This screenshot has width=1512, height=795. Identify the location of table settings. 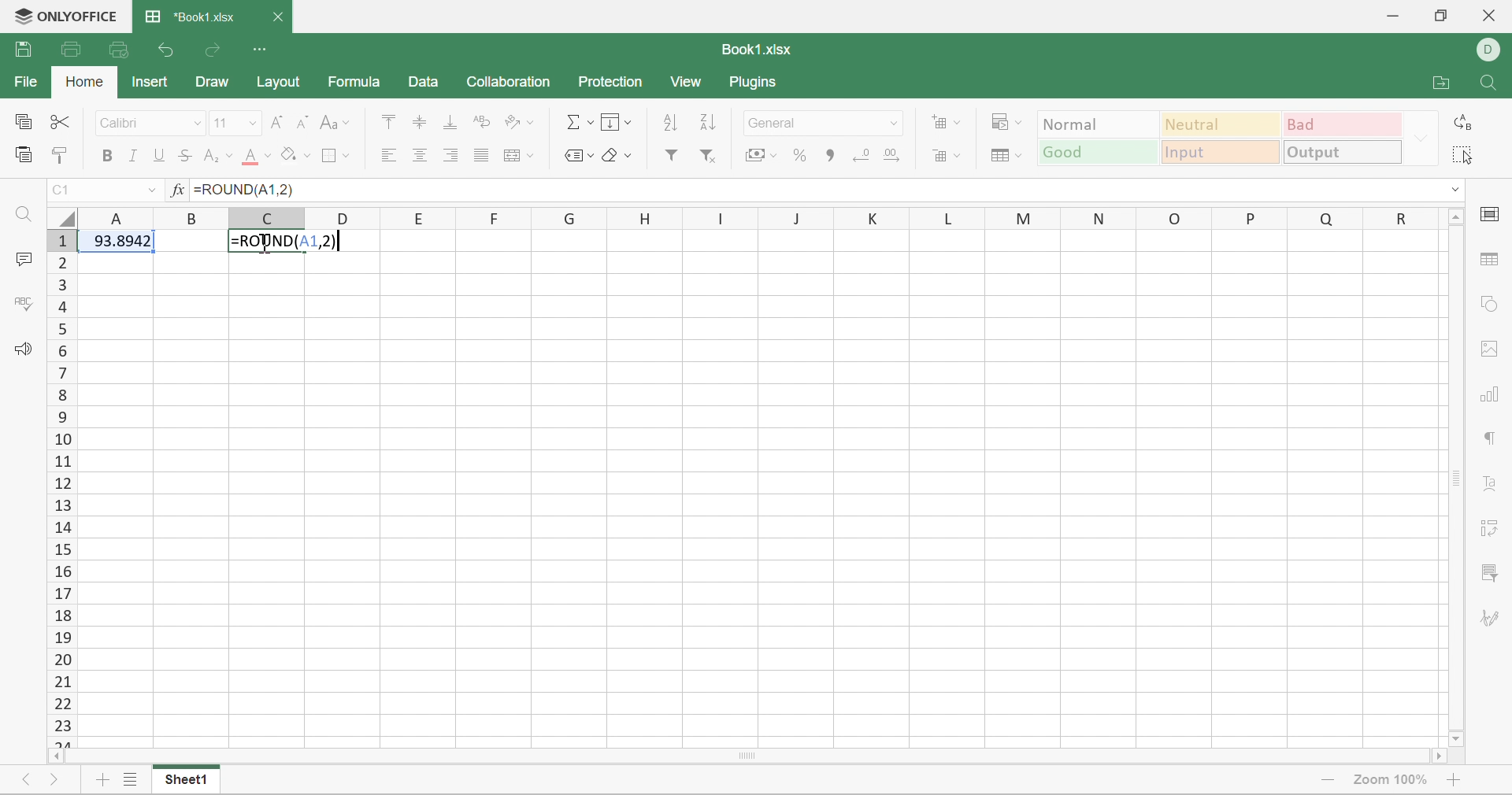
(1492, 260).